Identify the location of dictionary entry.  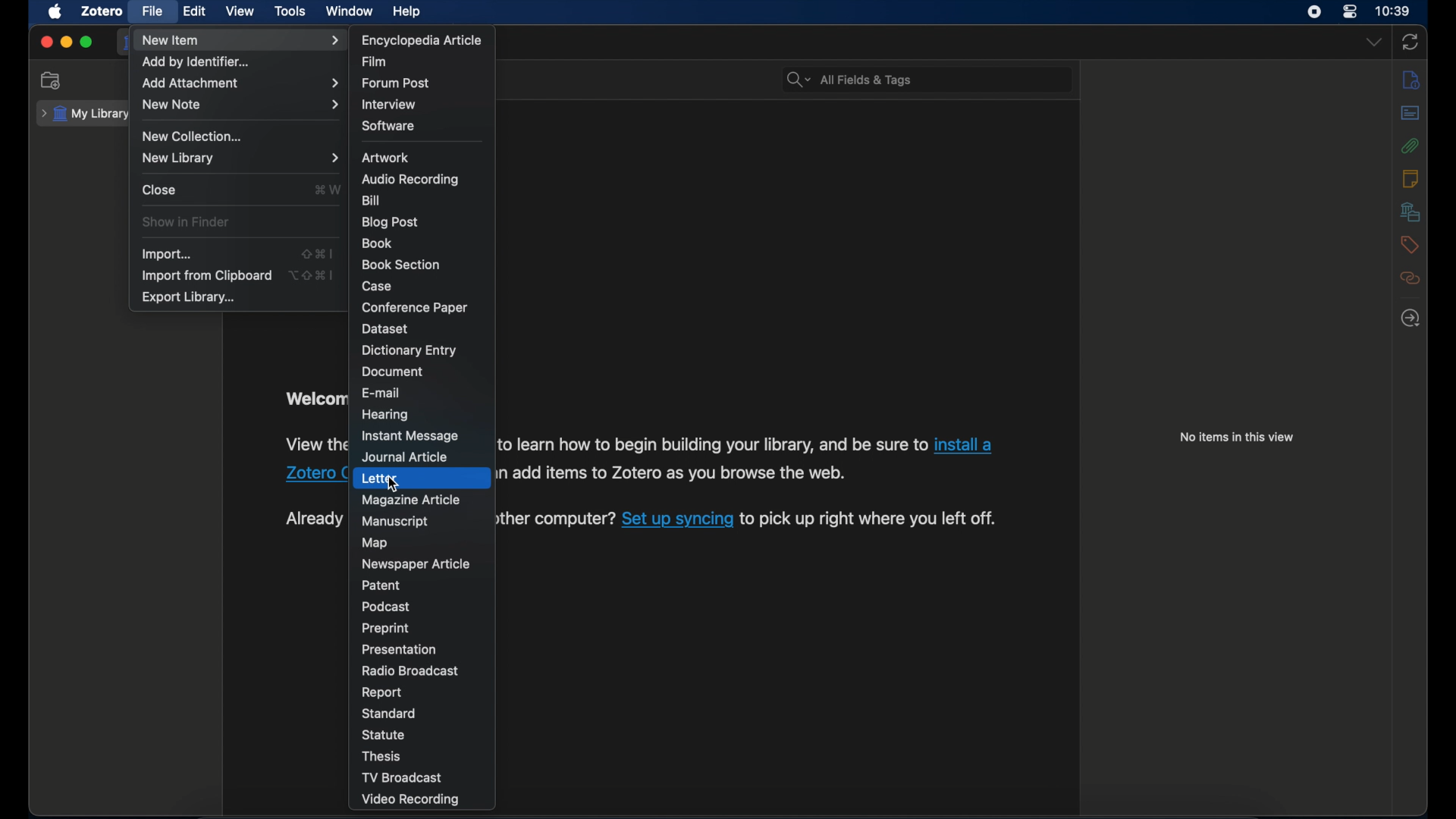
(409, 350).